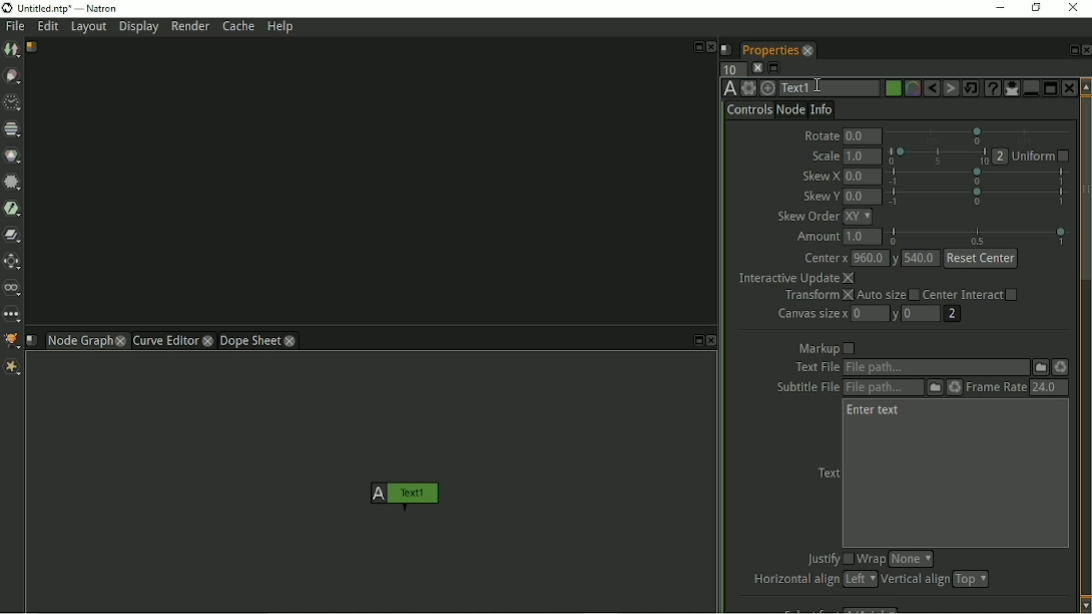  Describe the element at coordinates (978, 236) in the screenshot. I see `selection bar` at that location.